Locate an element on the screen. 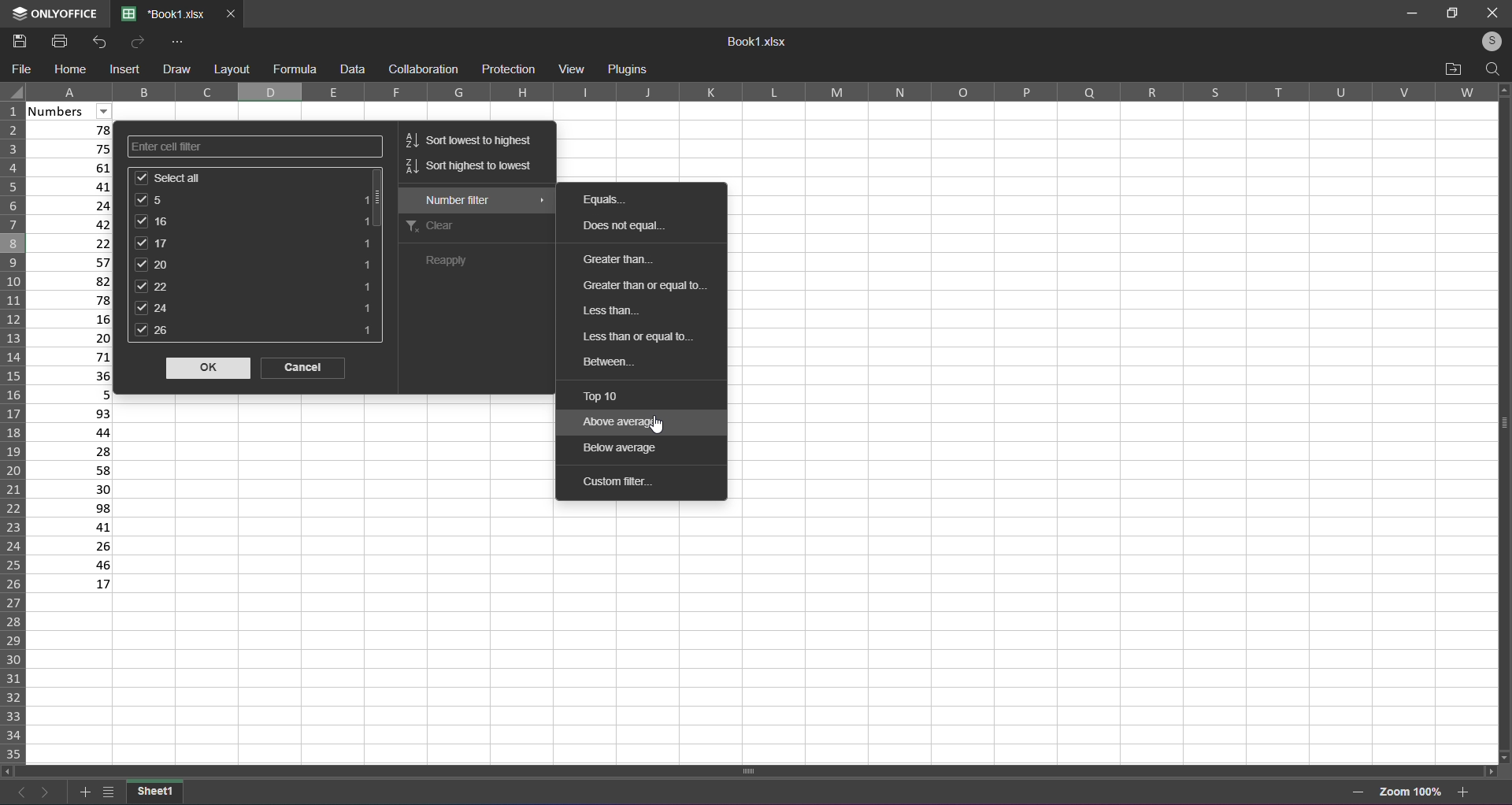 The width and height of the screenshot is (1512, 805). less than is located at coordinates (613, 308).